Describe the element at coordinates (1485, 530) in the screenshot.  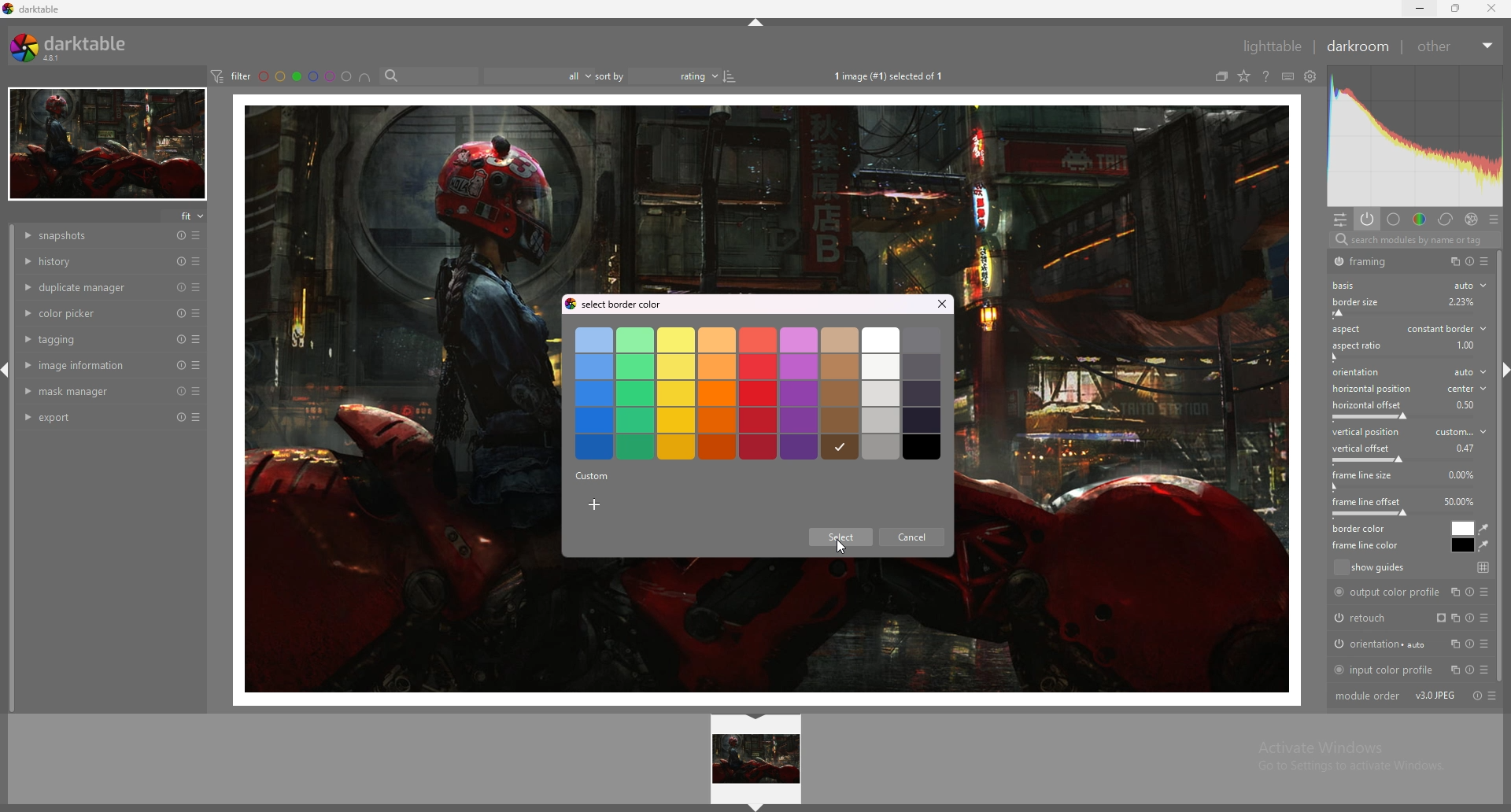
I see `waterdrop` at that location.